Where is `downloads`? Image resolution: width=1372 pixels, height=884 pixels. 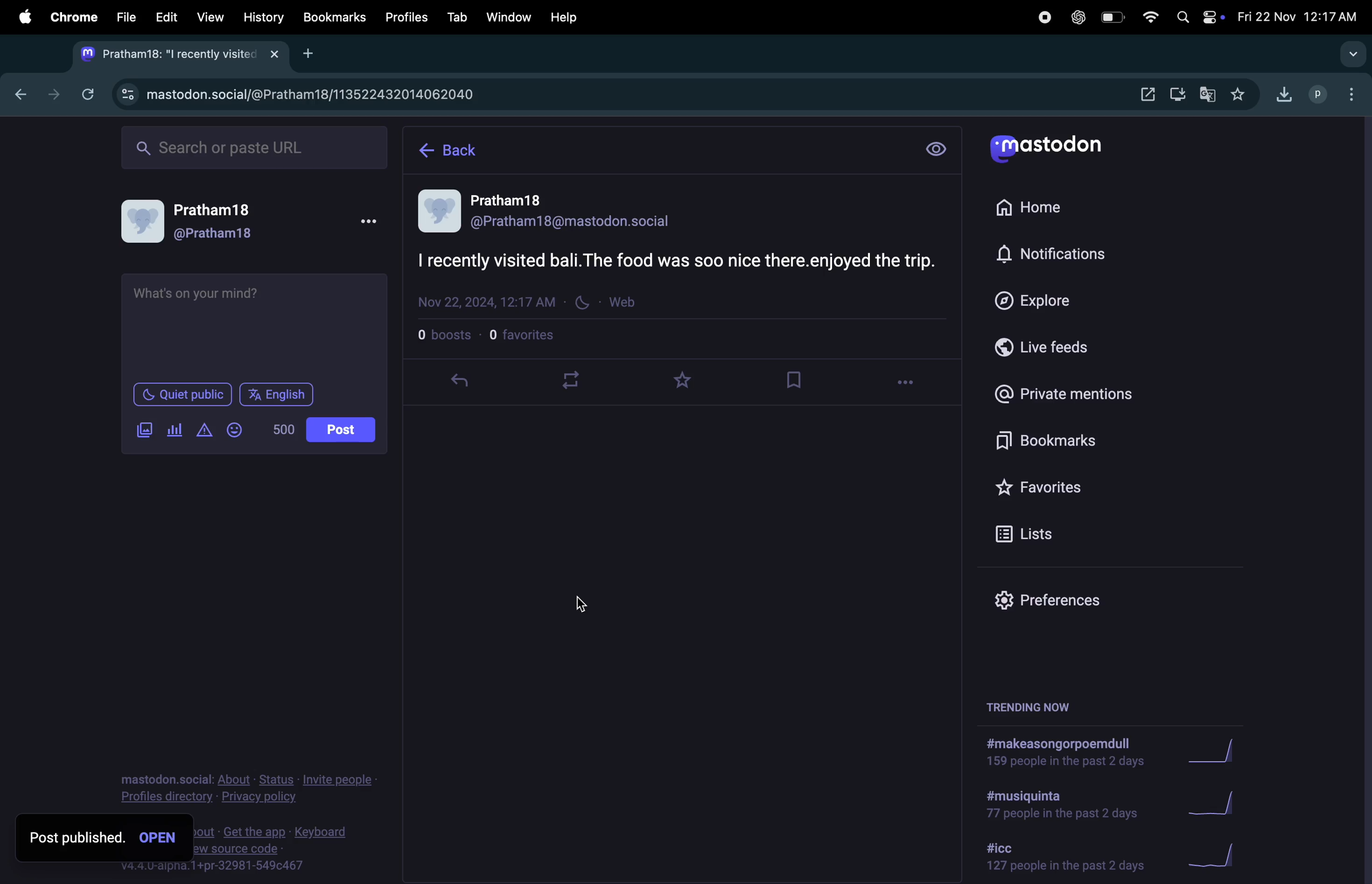 downloads is located at coordinates (1177, 94).